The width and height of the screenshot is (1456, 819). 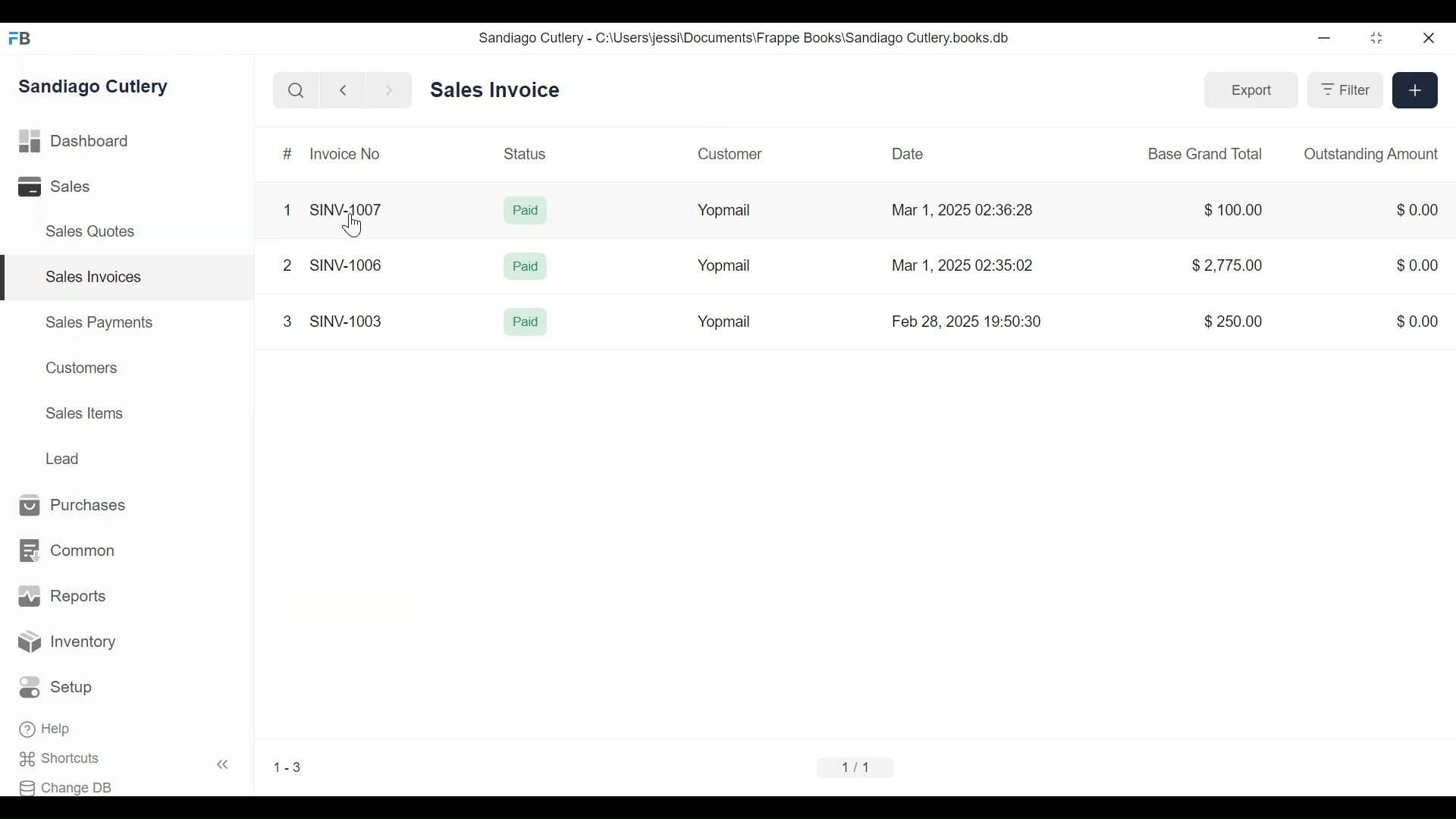 I want to click on Inventory, so click(x=65, y=639).